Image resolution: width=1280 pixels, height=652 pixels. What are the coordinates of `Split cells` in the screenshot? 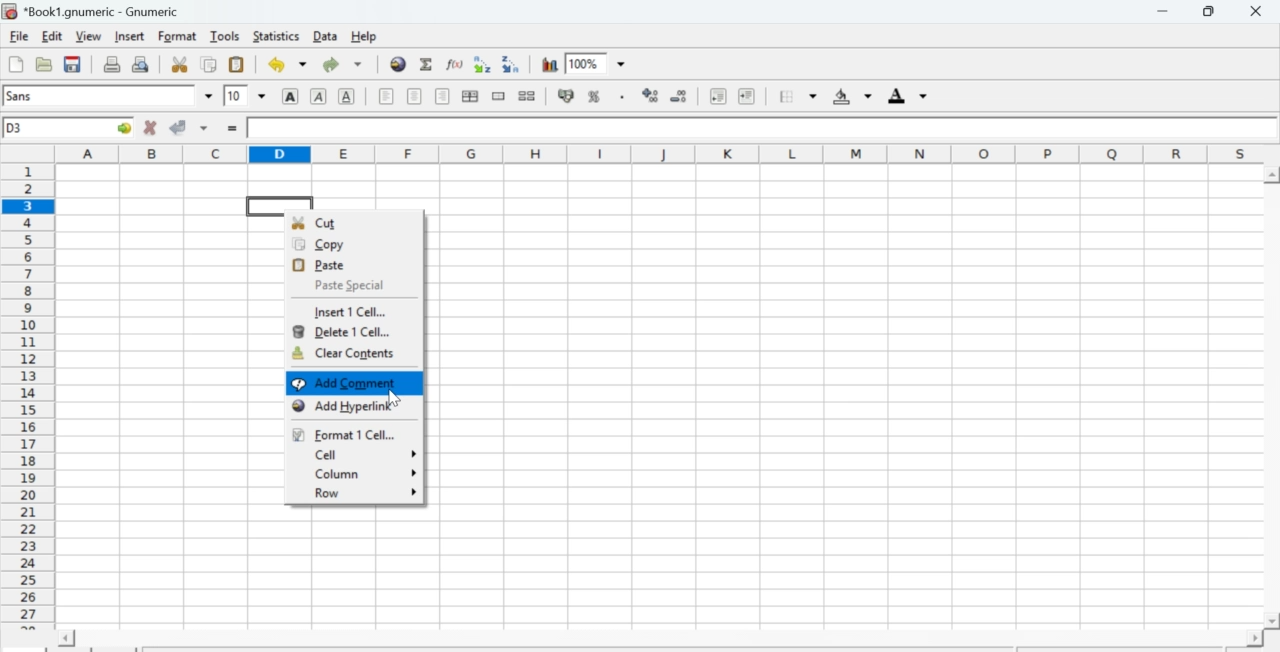 It's located at (526, 96).